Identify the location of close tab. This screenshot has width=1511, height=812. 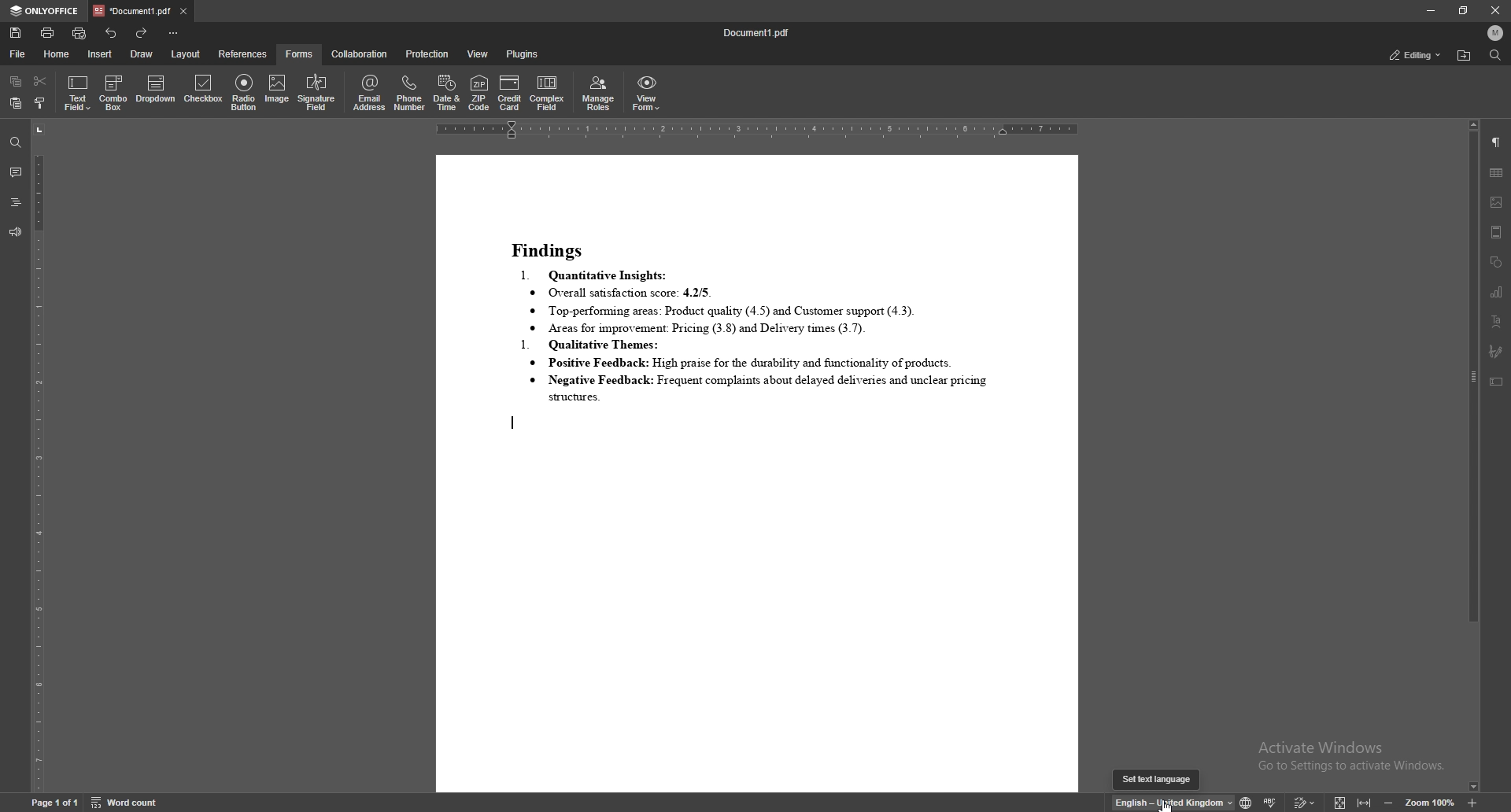
(183, 12).